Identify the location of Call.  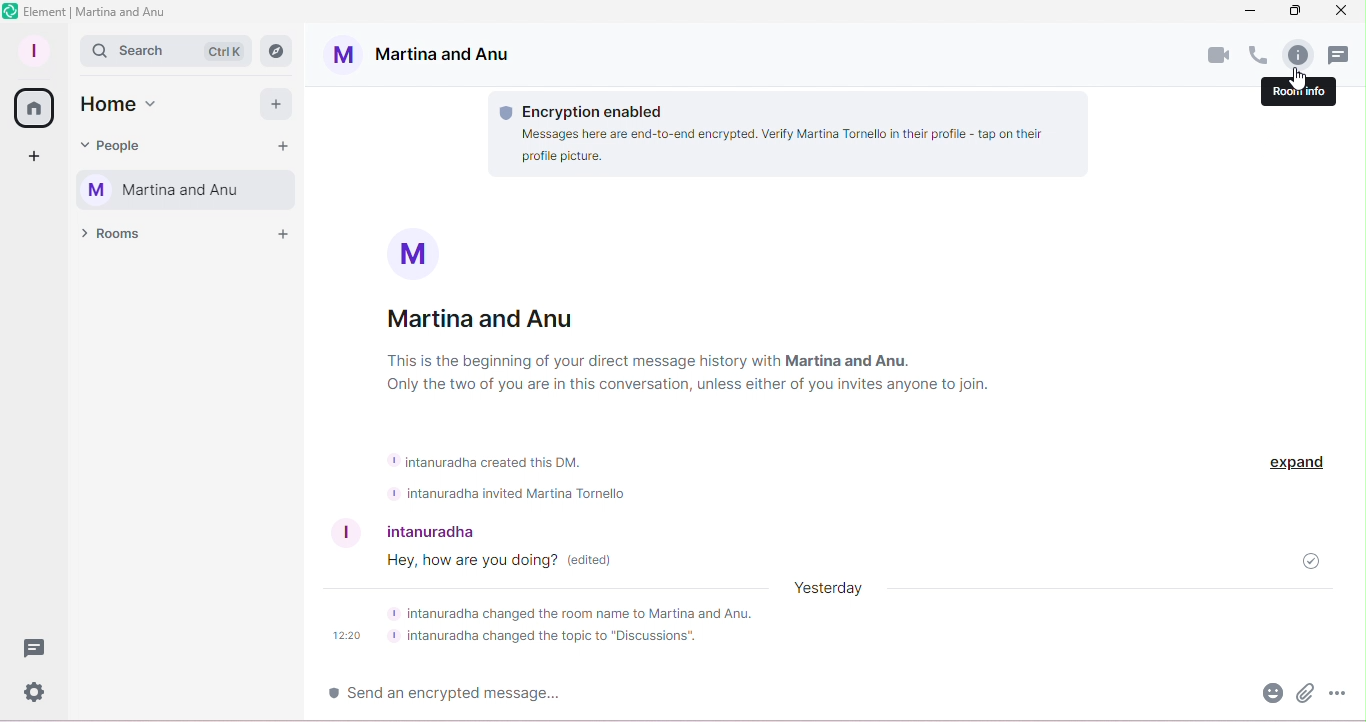
(1260, 59).